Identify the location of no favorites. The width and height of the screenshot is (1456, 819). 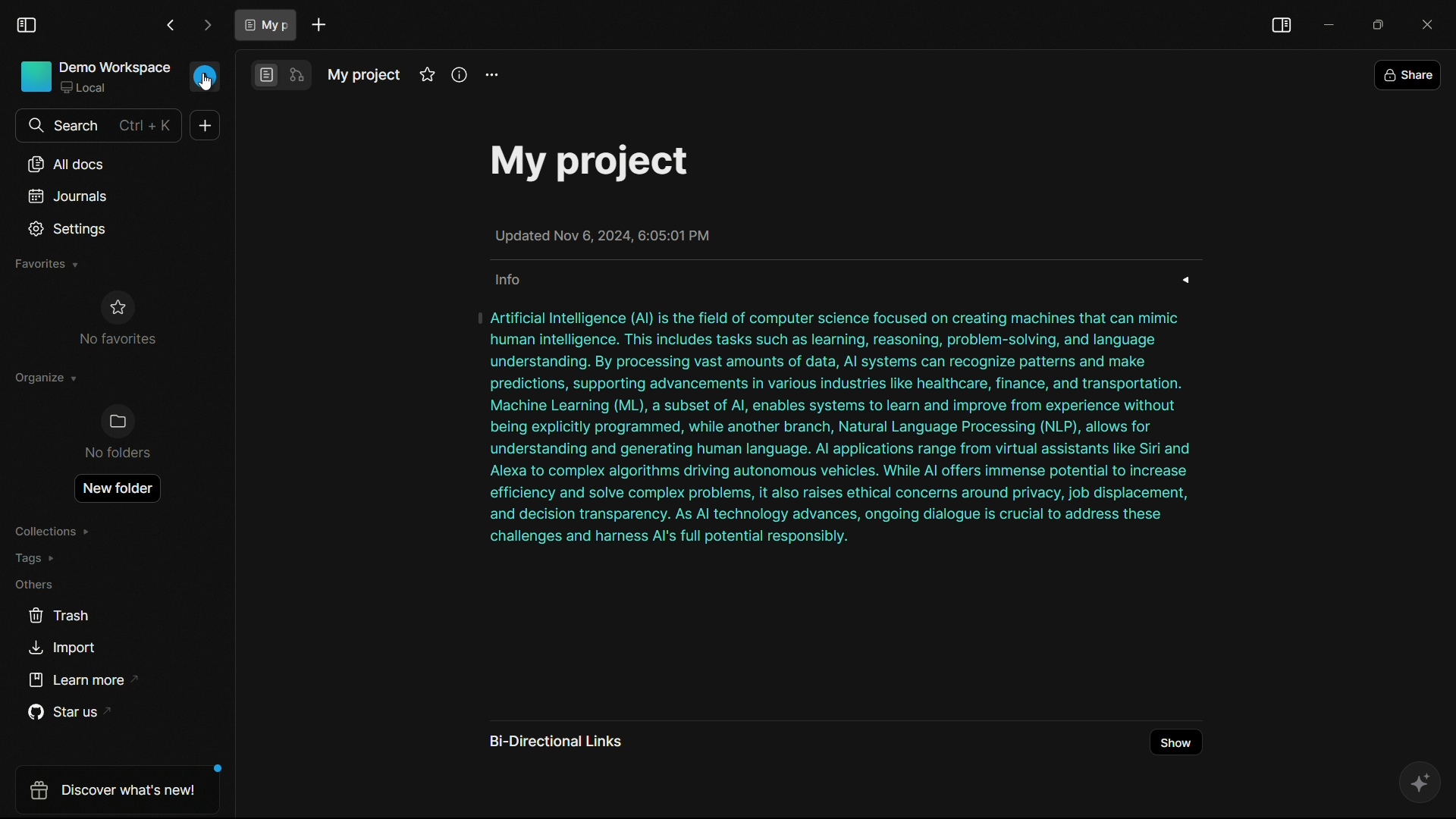
(118, 322).